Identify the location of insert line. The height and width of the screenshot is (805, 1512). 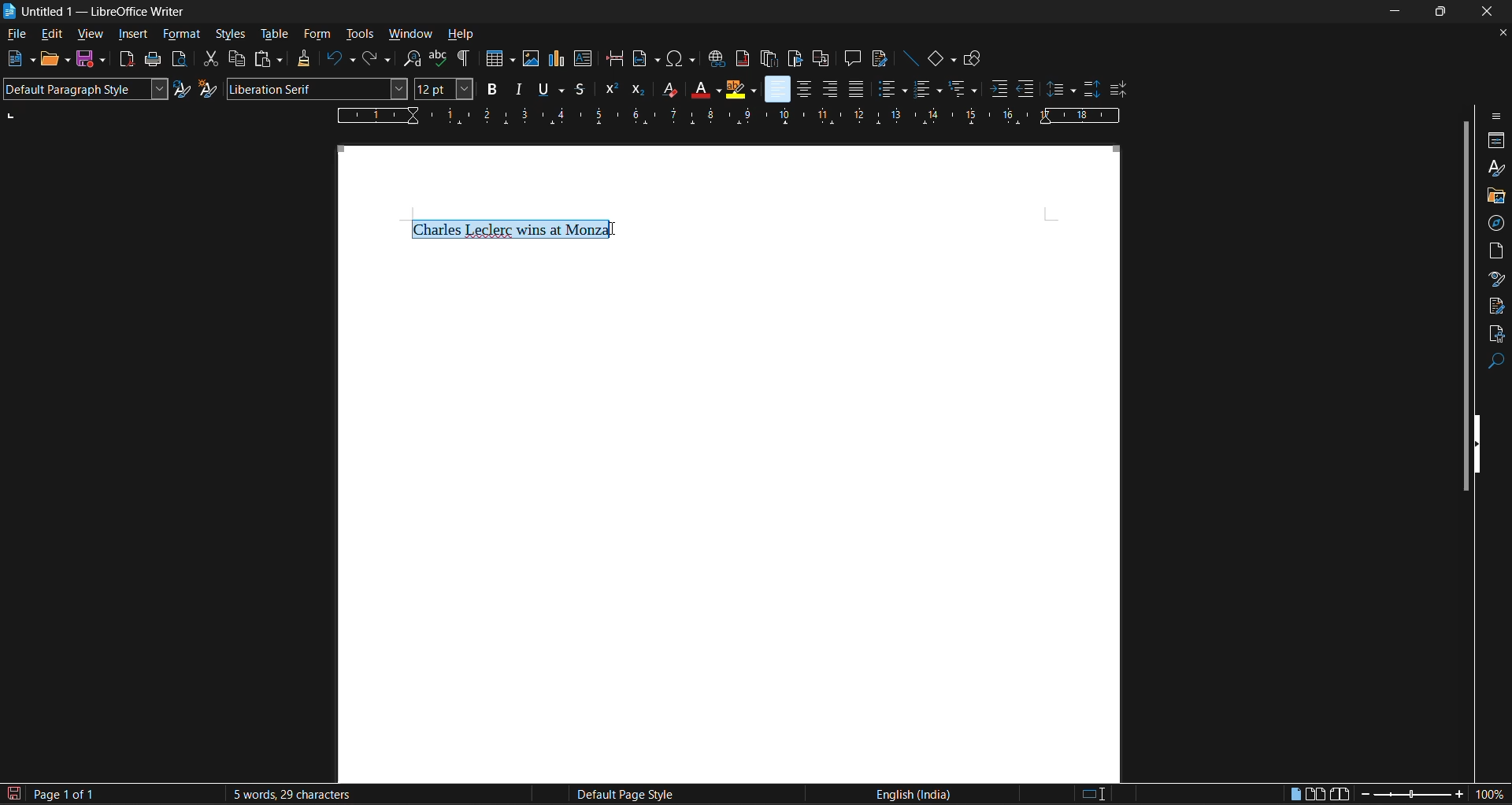
(910, 58).